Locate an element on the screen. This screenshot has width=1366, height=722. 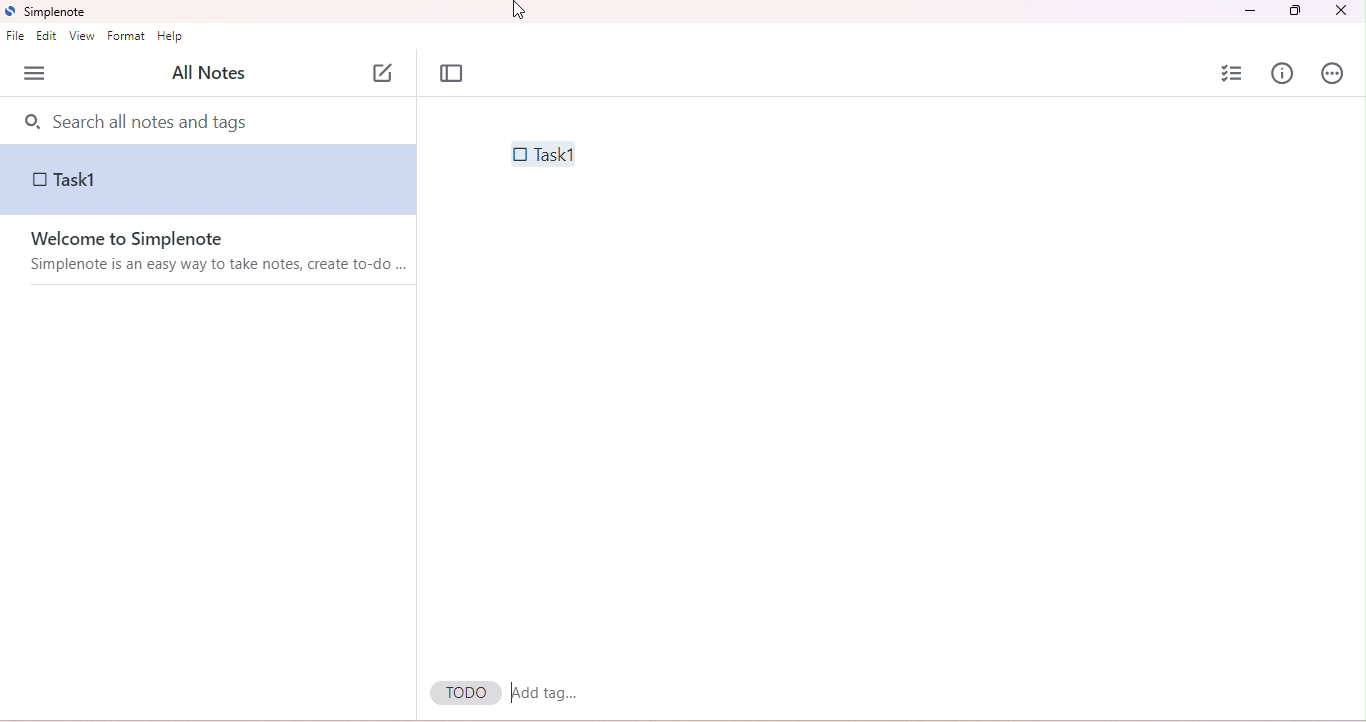
note text selected is located at coordinates (541, 153).